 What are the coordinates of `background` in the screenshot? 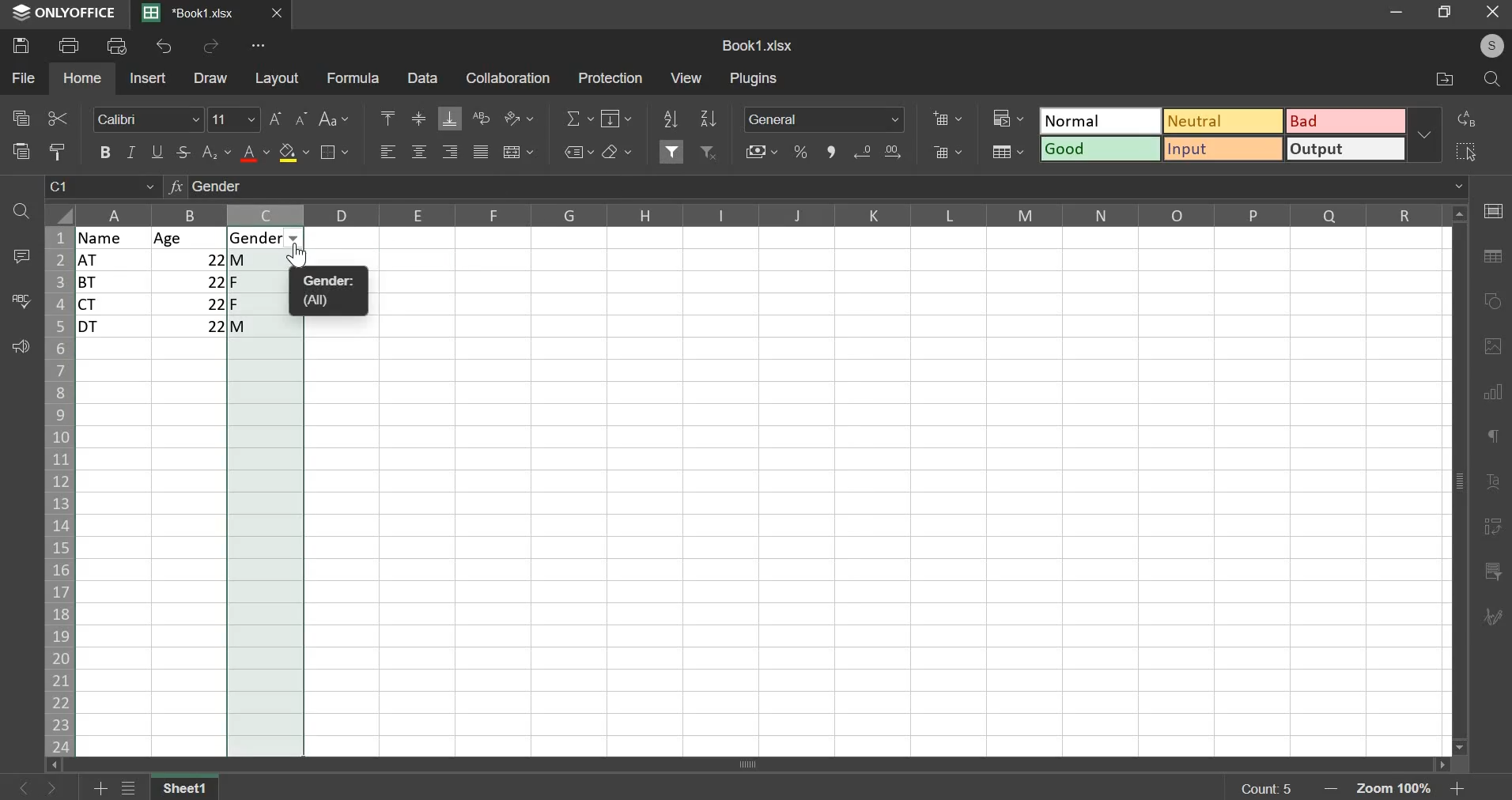 It's located at (293, 153).